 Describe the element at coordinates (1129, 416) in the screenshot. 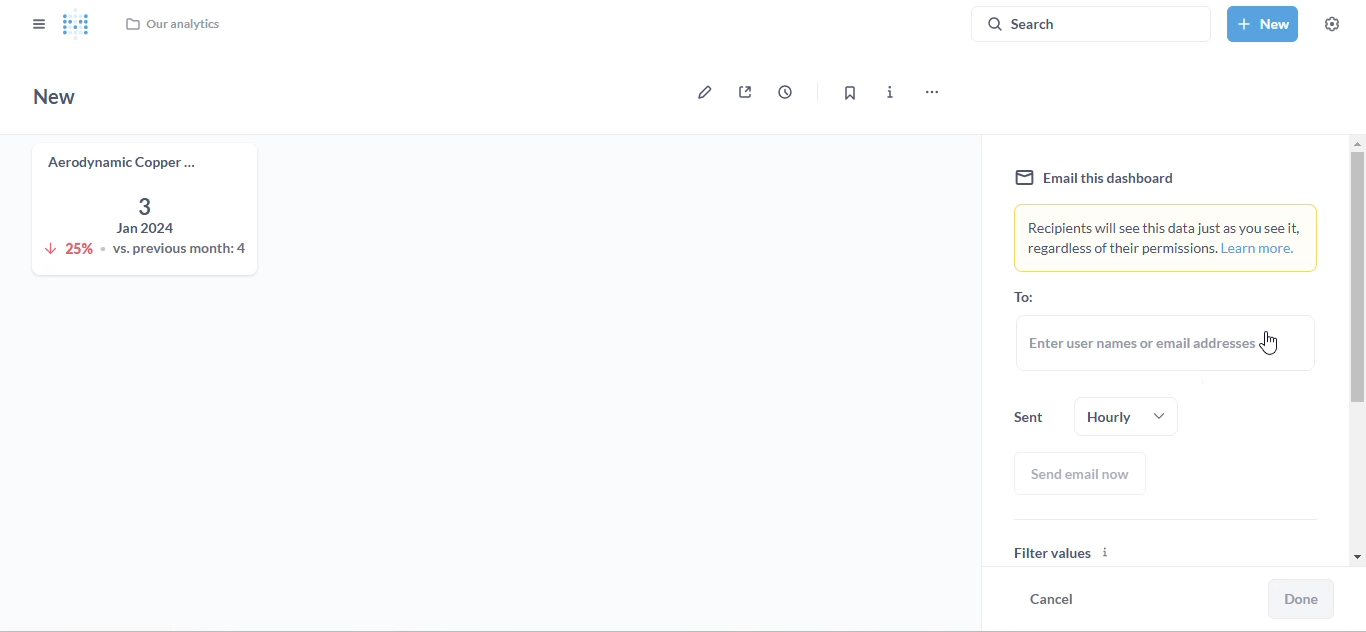

I see `hourly` at that location.